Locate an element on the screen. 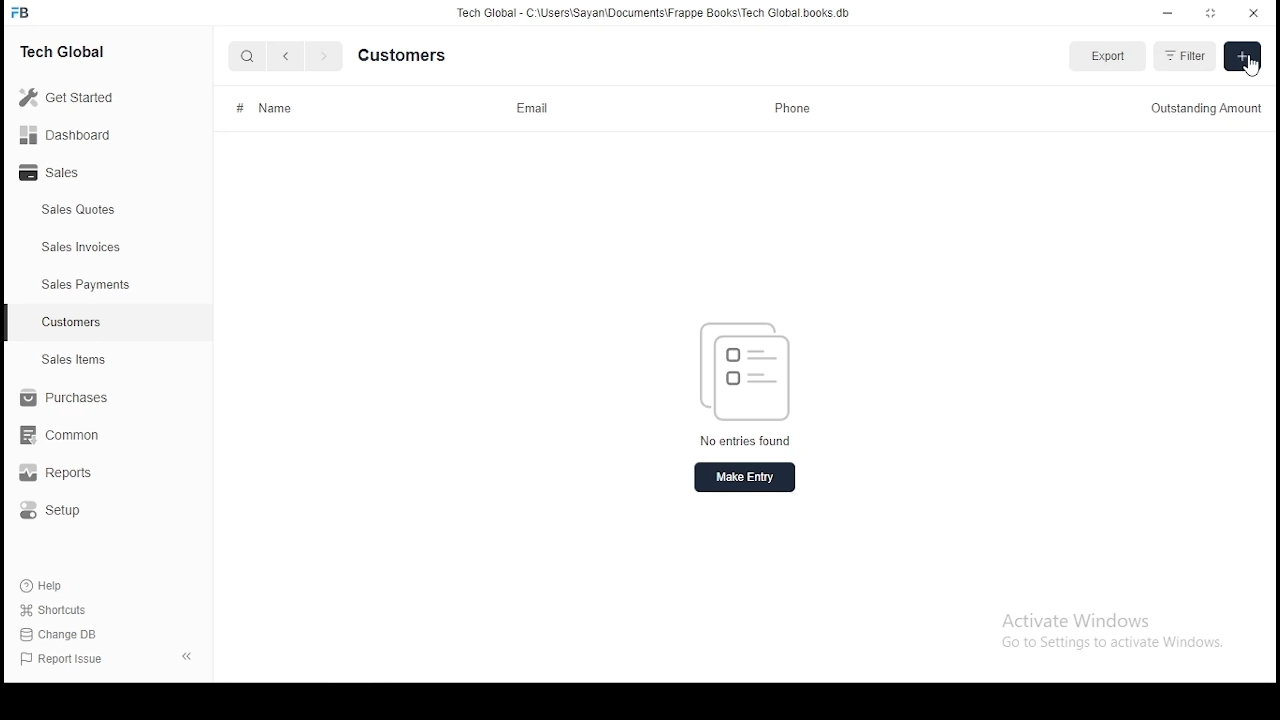 Image resolution: width=1280 pixels, height=720 pixels. common is located at coordinates (59, 437).